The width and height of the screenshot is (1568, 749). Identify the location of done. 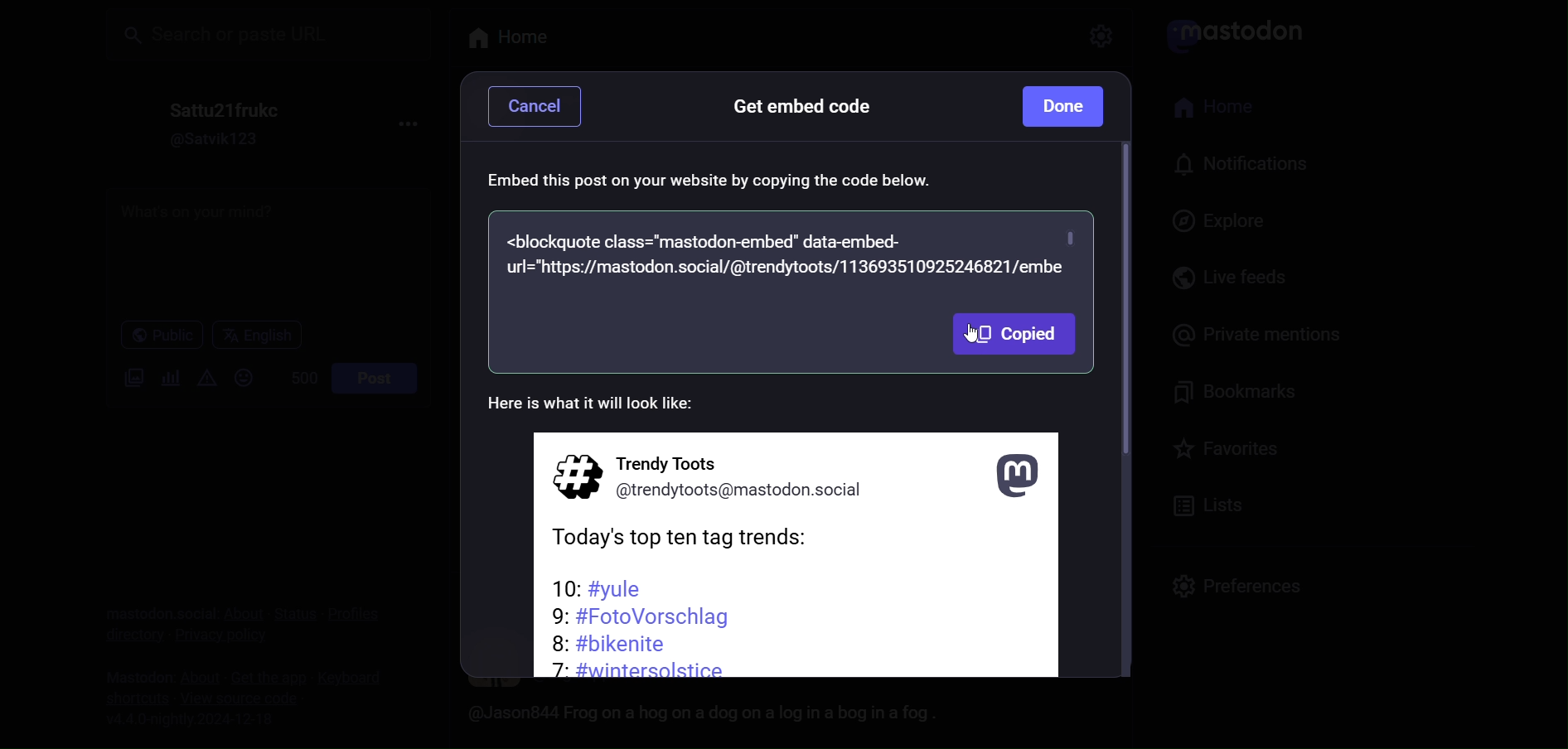
(1065, 105).